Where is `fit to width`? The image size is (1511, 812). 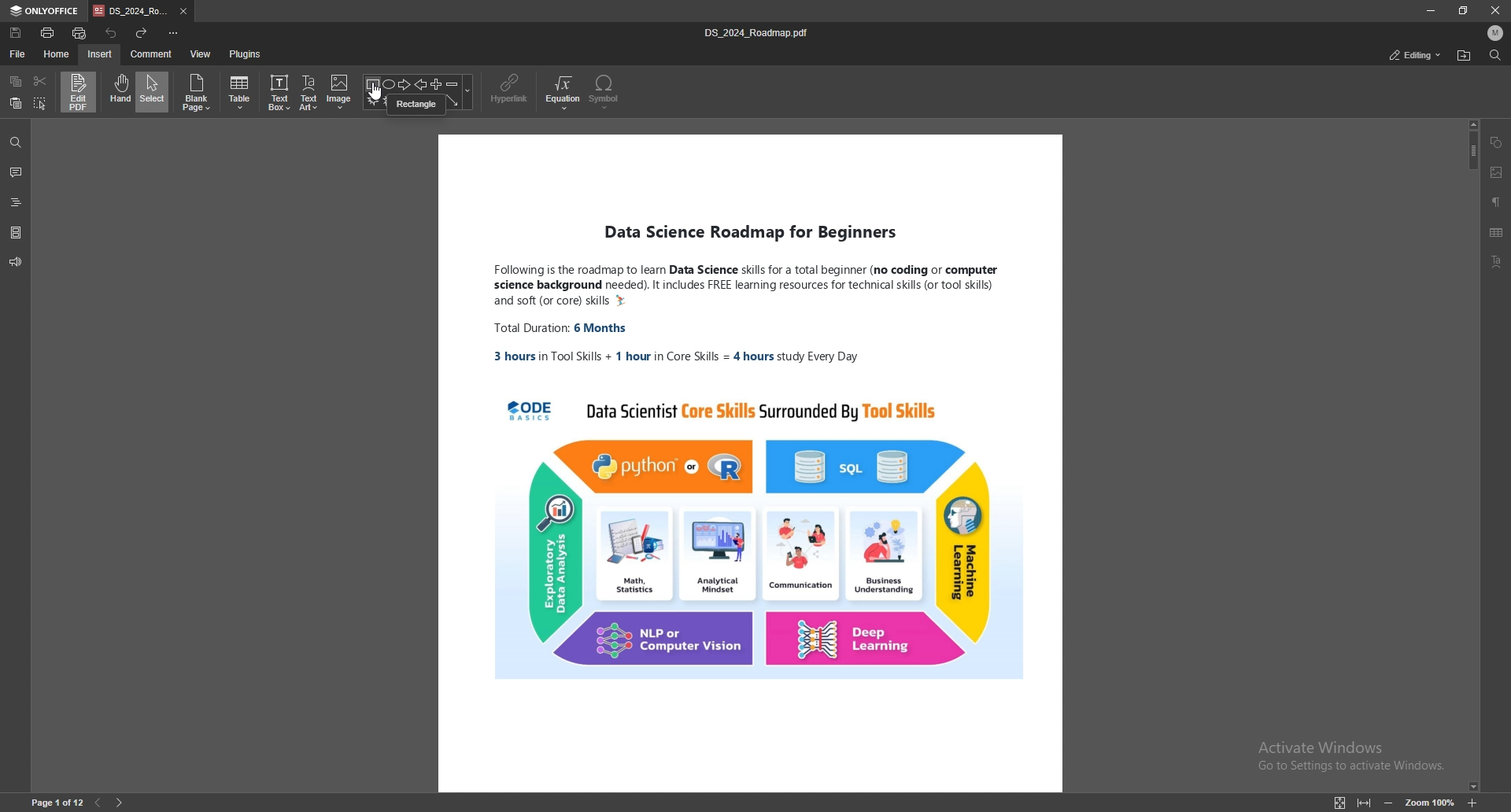 fit to width is located at coordinates (1365, 803).